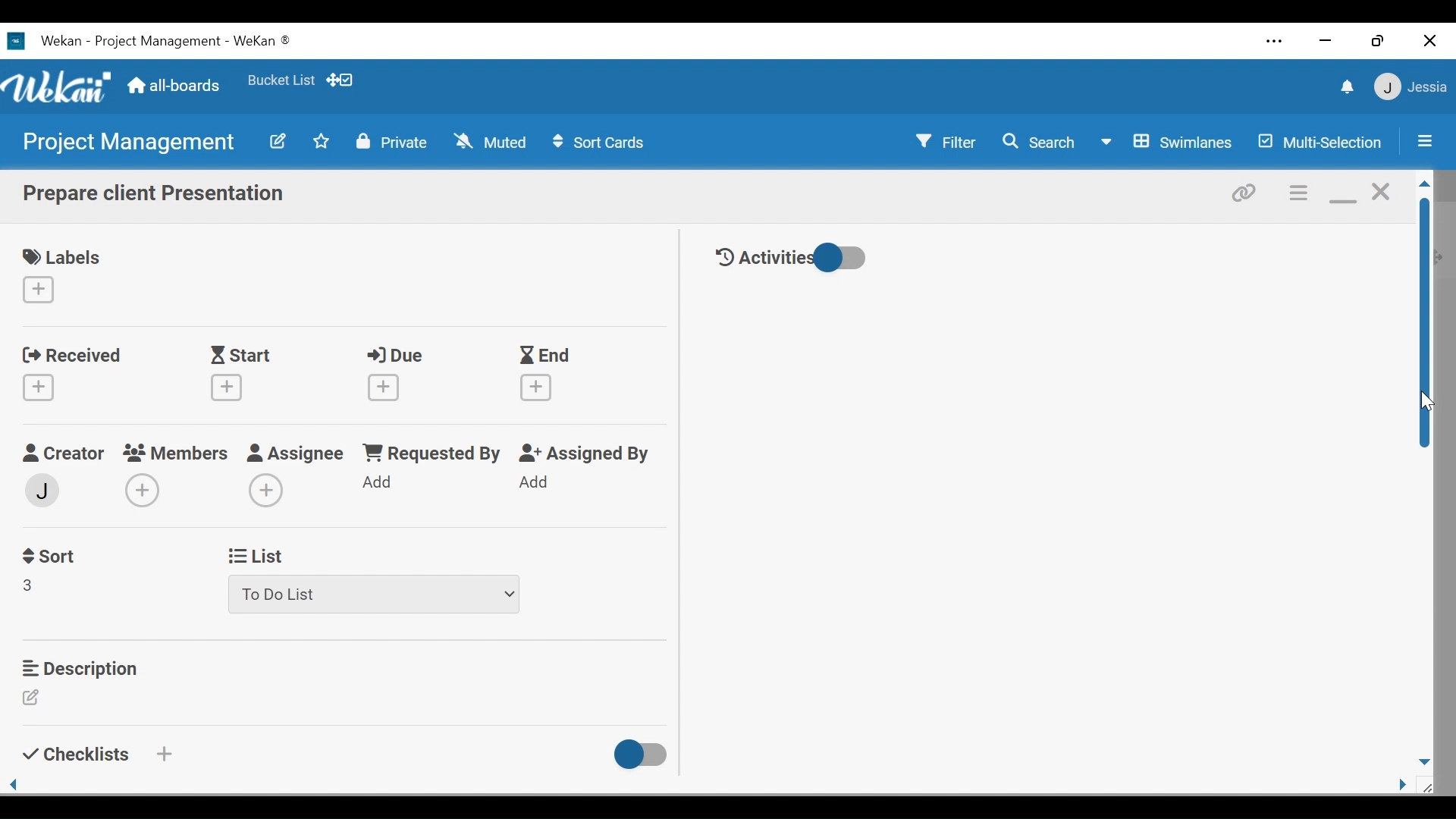 The width and height of the screenshot is (1456, 819). What do you see at coordinates (39, 290) in the screenshot?
I see `Create label` at bounding box center [39, 290].